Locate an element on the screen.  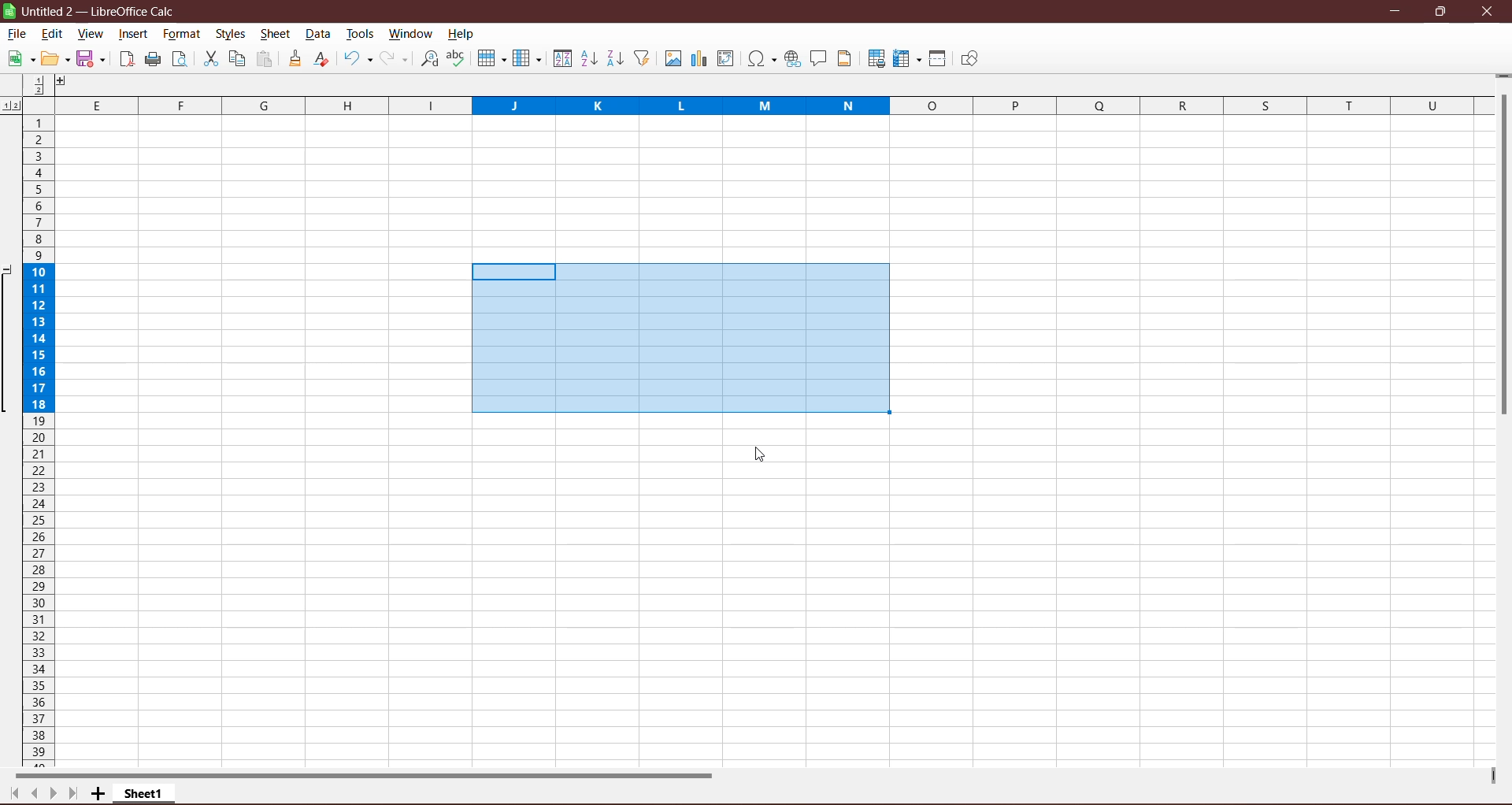
Print is located at coordinates (153, 60).